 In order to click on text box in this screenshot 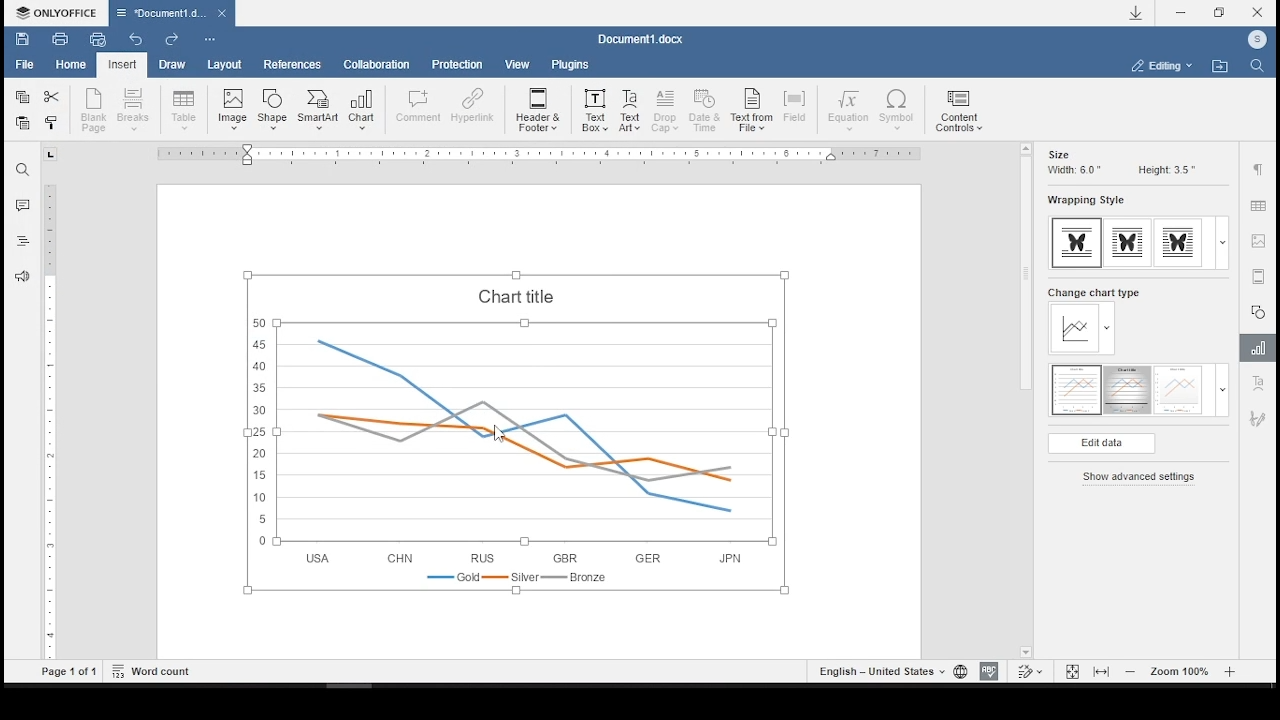, I will do `click(595, 108)`.